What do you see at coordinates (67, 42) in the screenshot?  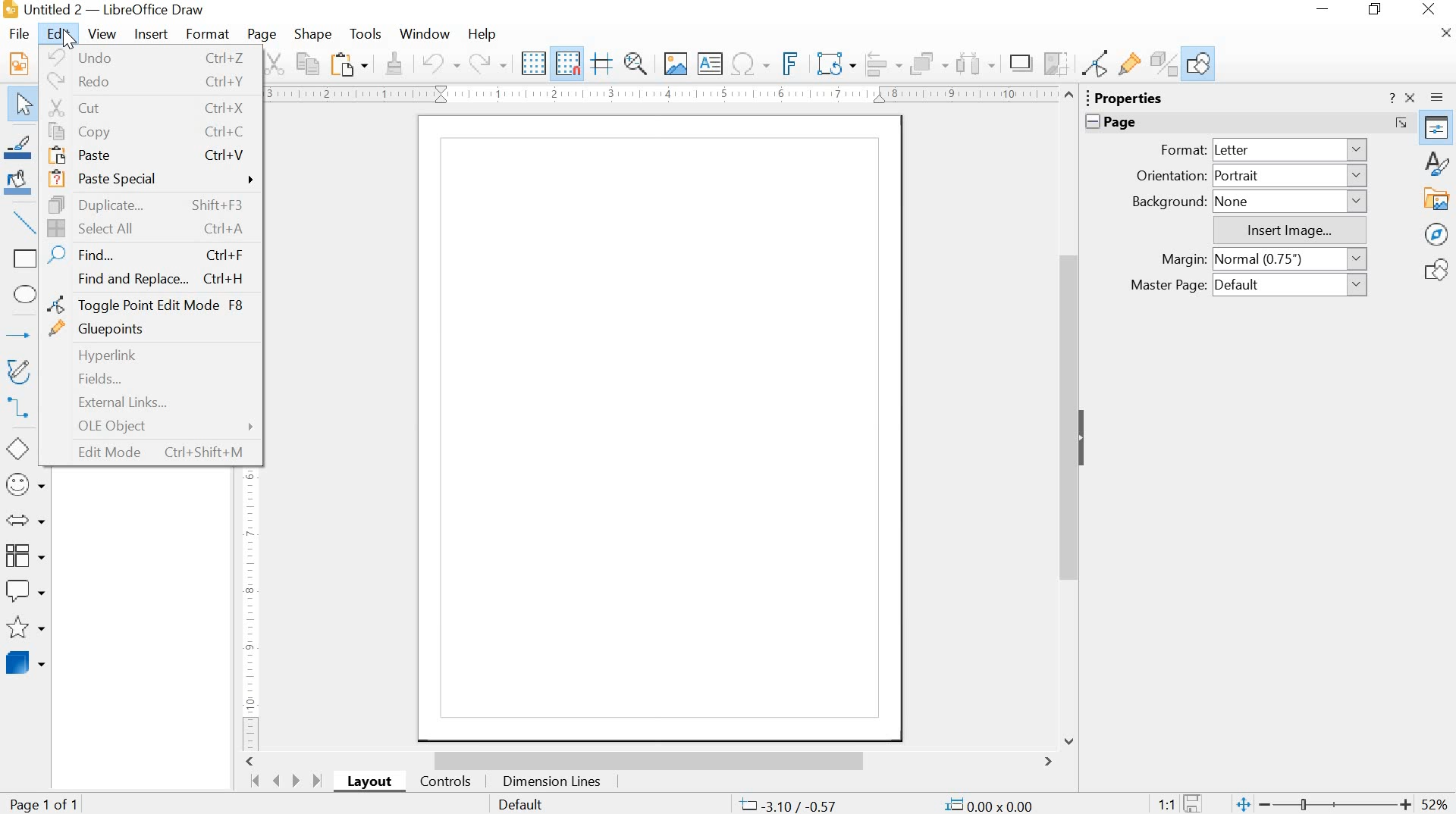 I see `cursor` at bounding box center [67, 42].